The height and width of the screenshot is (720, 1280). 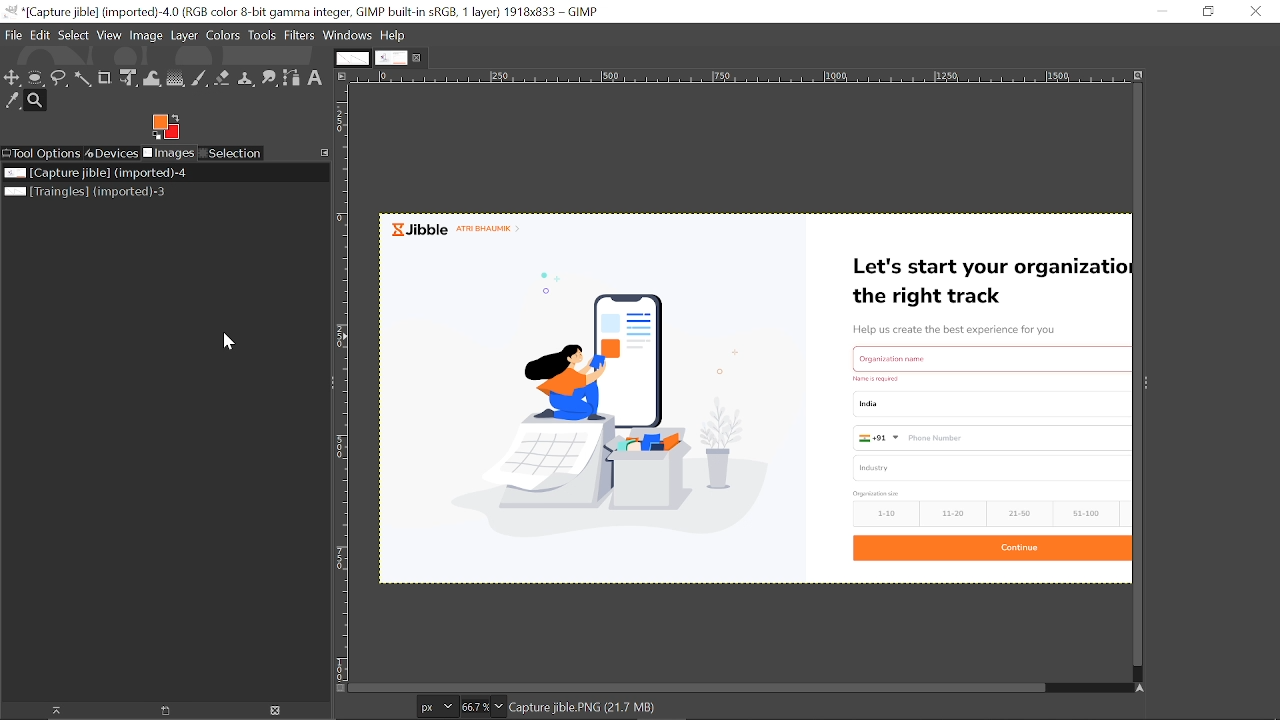 What do you see at coordinates (82, 80) in the screenshot?
I see `Fuzzy select tool` at bounding box center [82, 80].